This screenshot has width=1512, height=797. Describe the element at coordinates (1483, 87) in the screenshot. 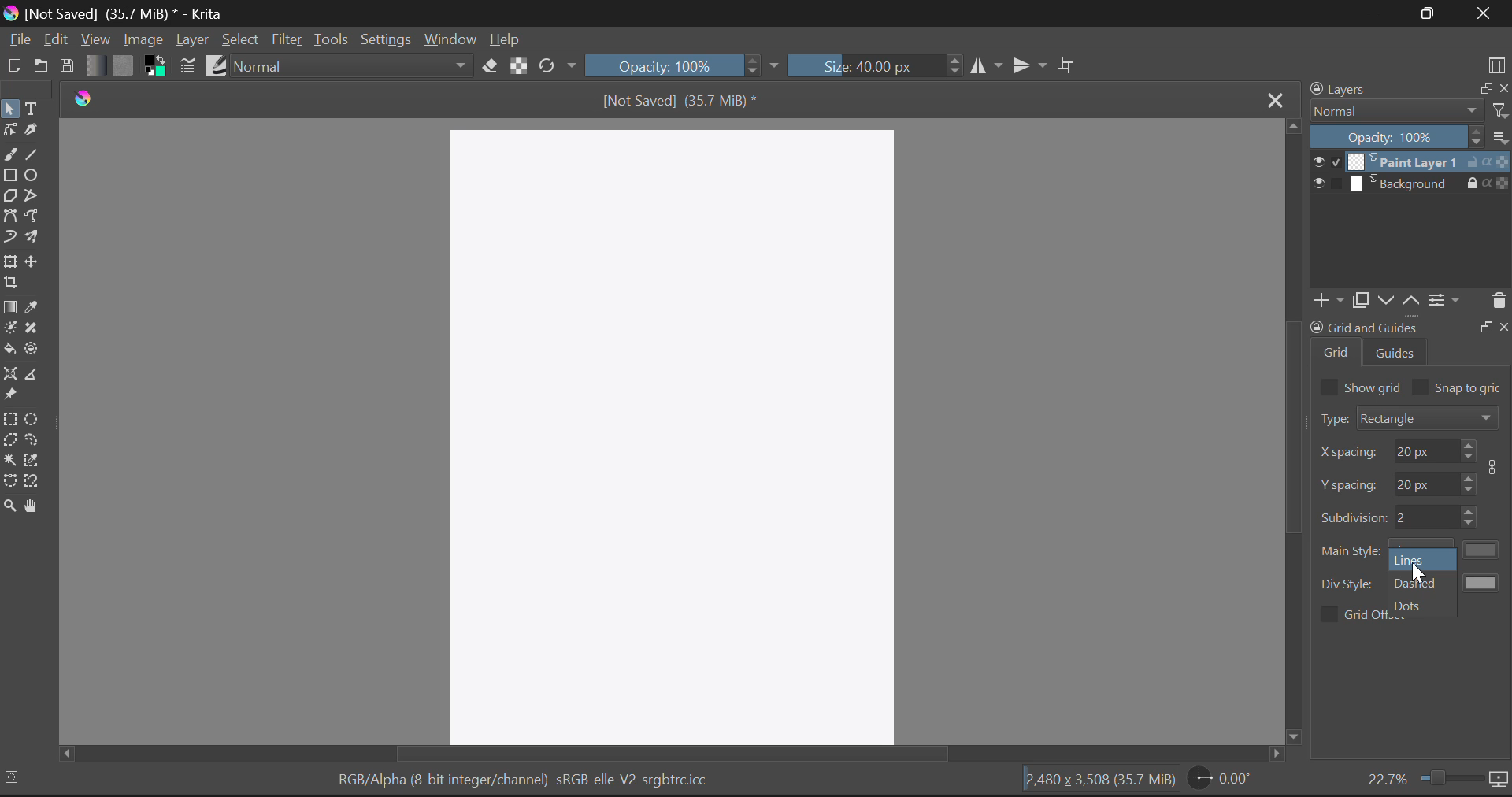

I see `copy` at that location.